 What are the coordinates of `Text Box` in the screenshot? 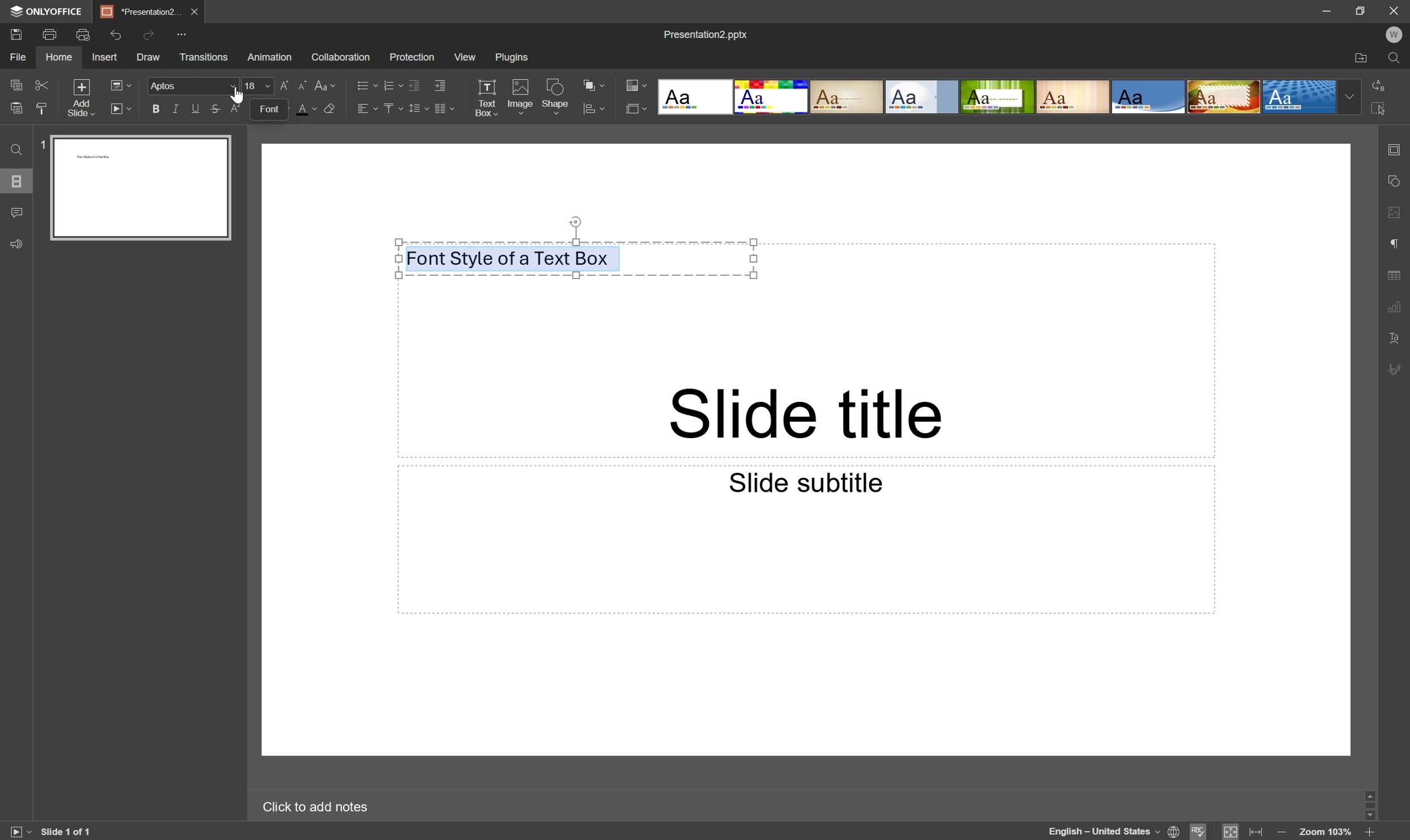 It's located at (486, 97).